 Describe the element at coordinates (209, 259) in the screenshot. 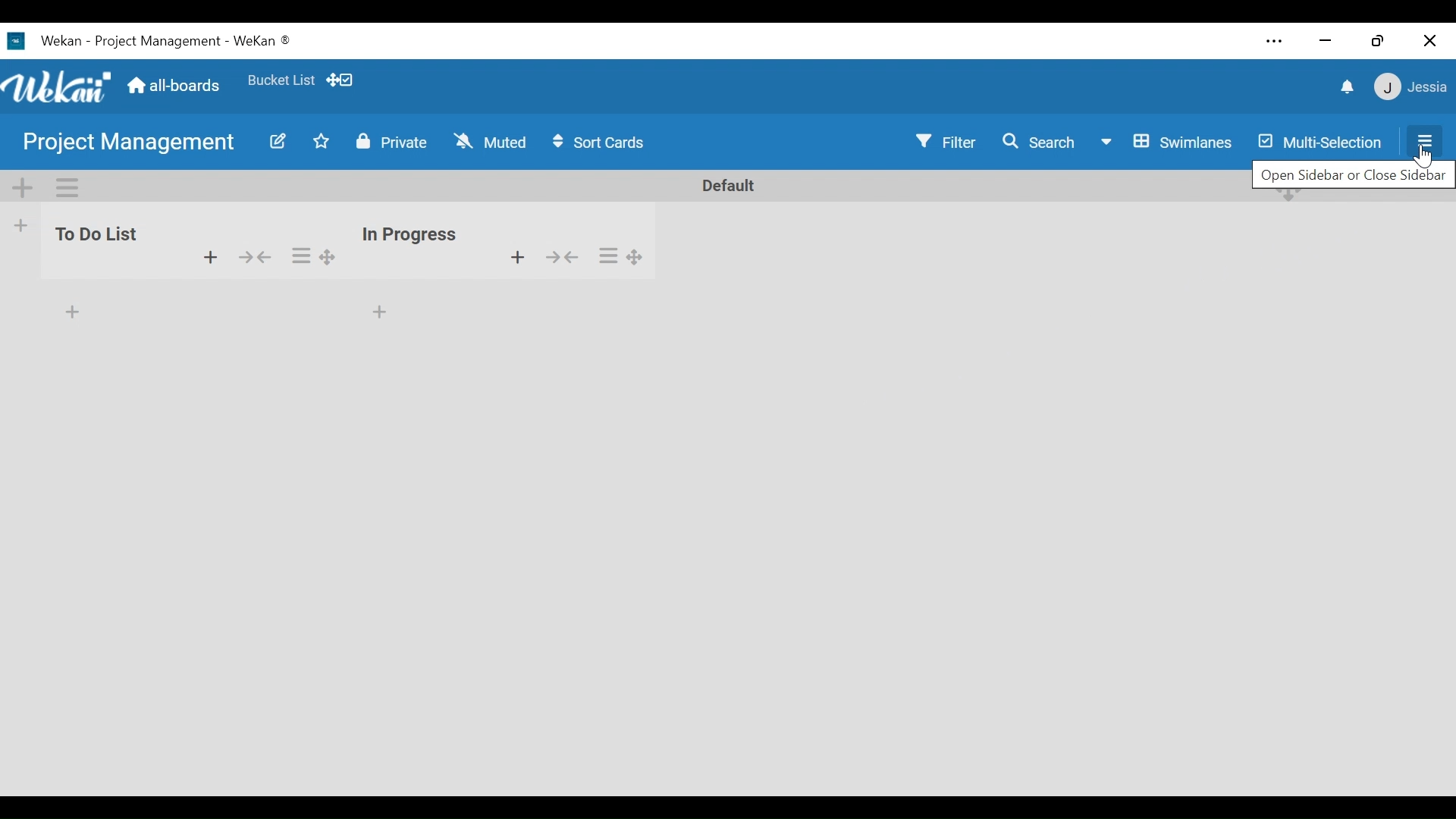

I see `add` at that location.